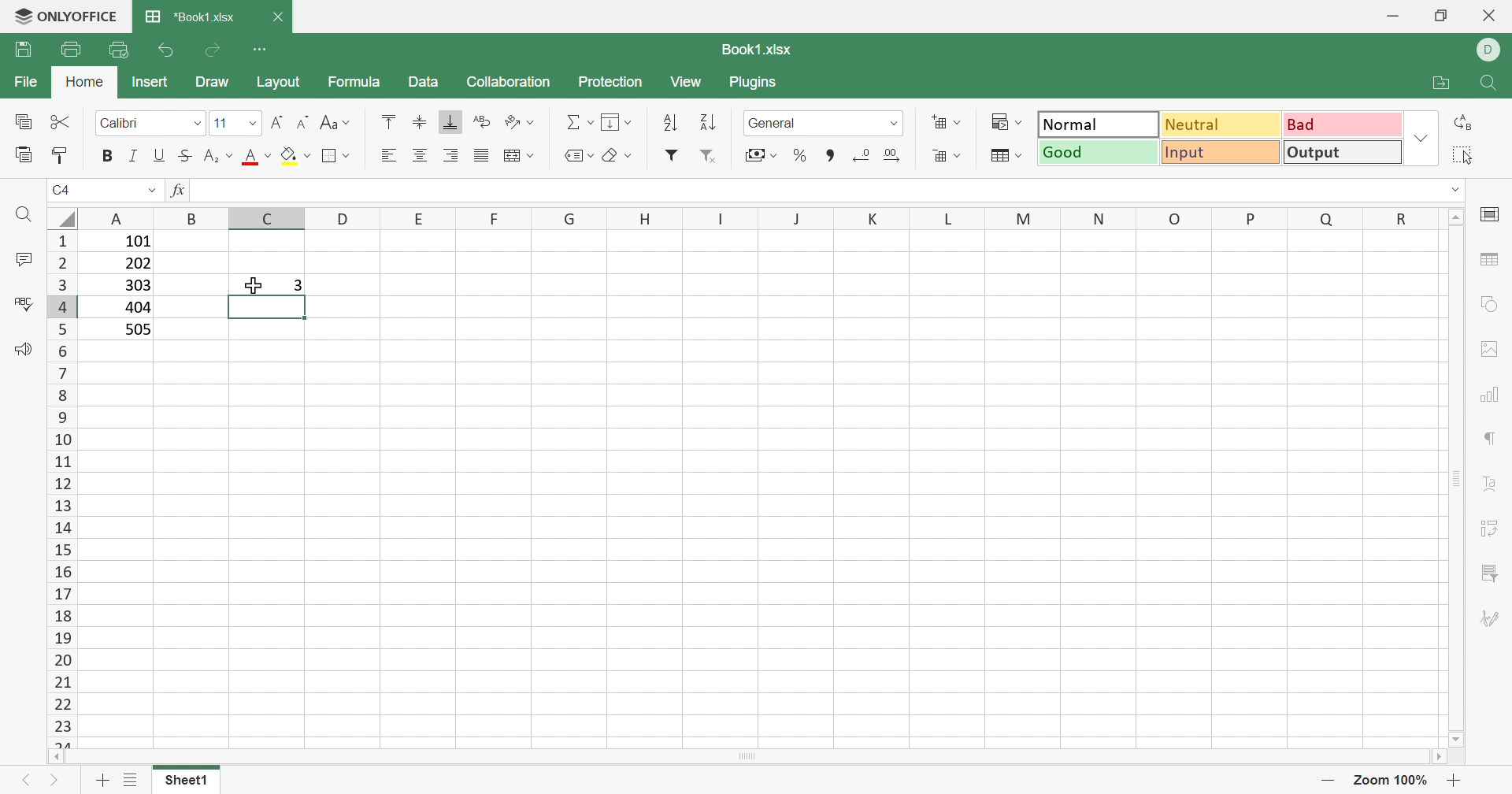 This screenshot has height=794, width=1512. Describe the element at coordinates (1344, 151) in the screenshot. I see `Output` at that location.